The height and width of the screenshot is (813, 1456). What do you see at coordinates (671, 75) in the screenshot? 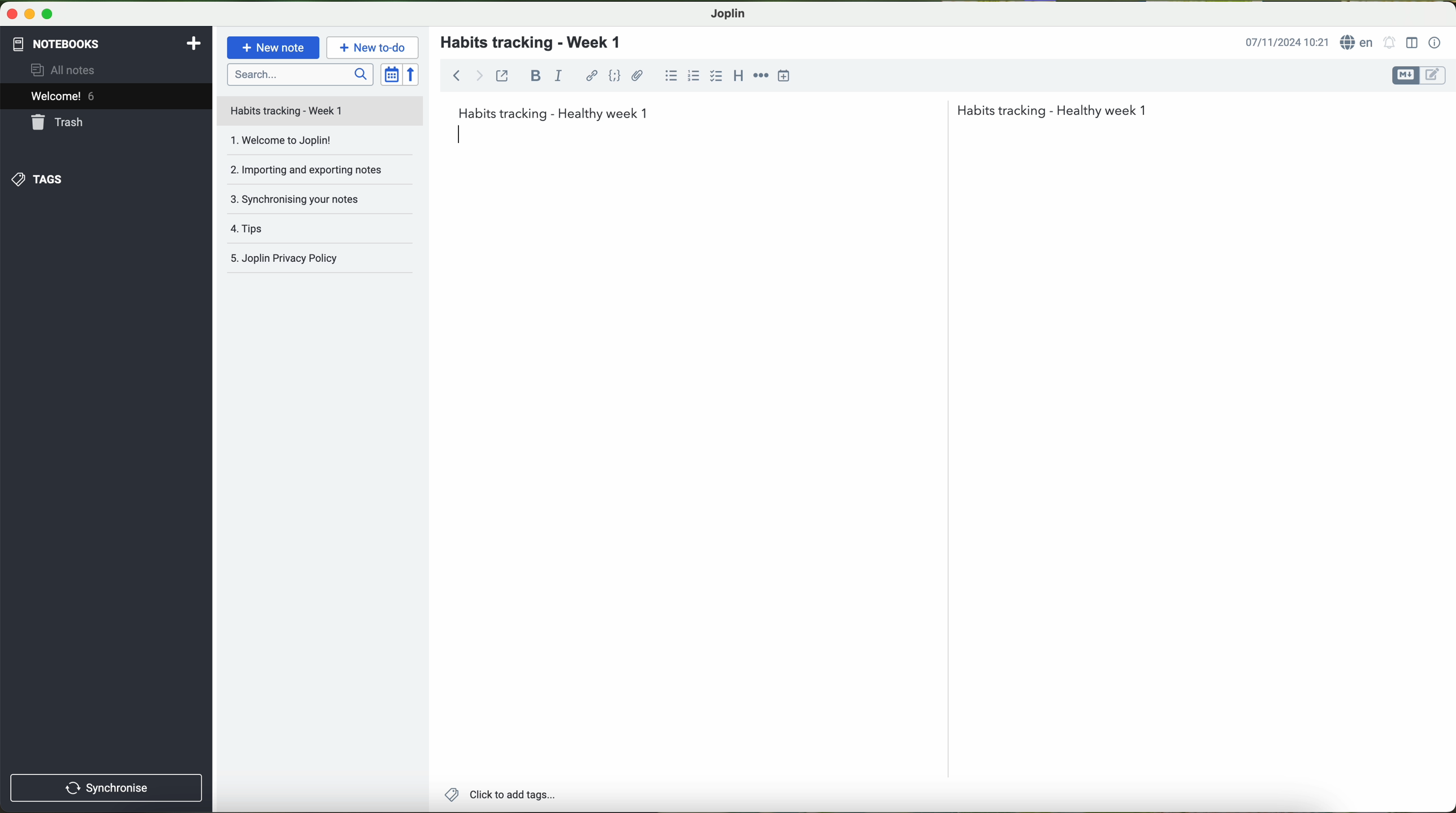
I see `bulleted list` at bounding box center [671, 75].